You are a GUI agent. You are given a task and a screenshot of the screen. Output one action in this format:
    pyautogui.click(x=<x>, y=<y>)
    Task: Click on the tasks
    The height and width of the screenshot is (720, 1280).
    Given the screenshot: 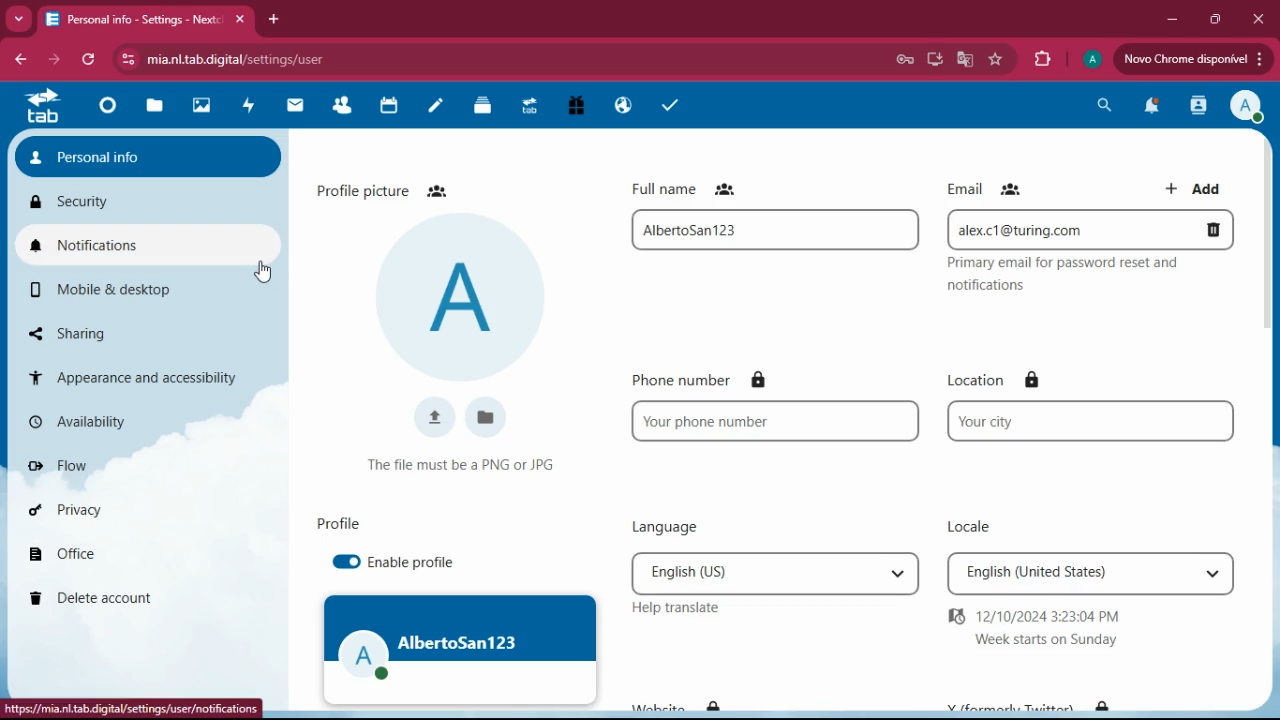 What is the action you would take?
    pyautogui.click(x=666, y=106)
    